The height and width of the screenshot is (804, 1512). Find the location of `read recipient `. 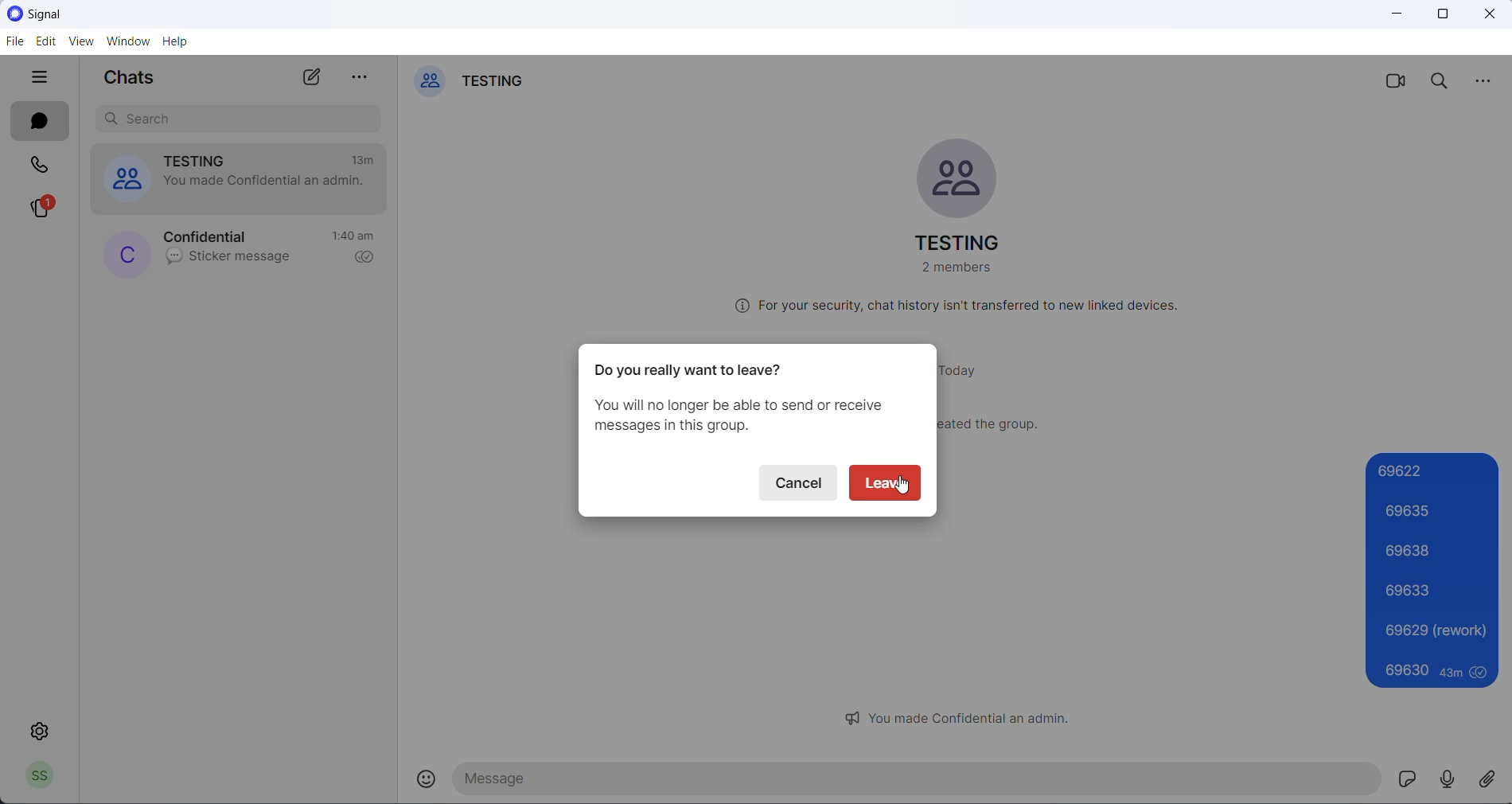

read recipient  is located at coordinates (365, 259).